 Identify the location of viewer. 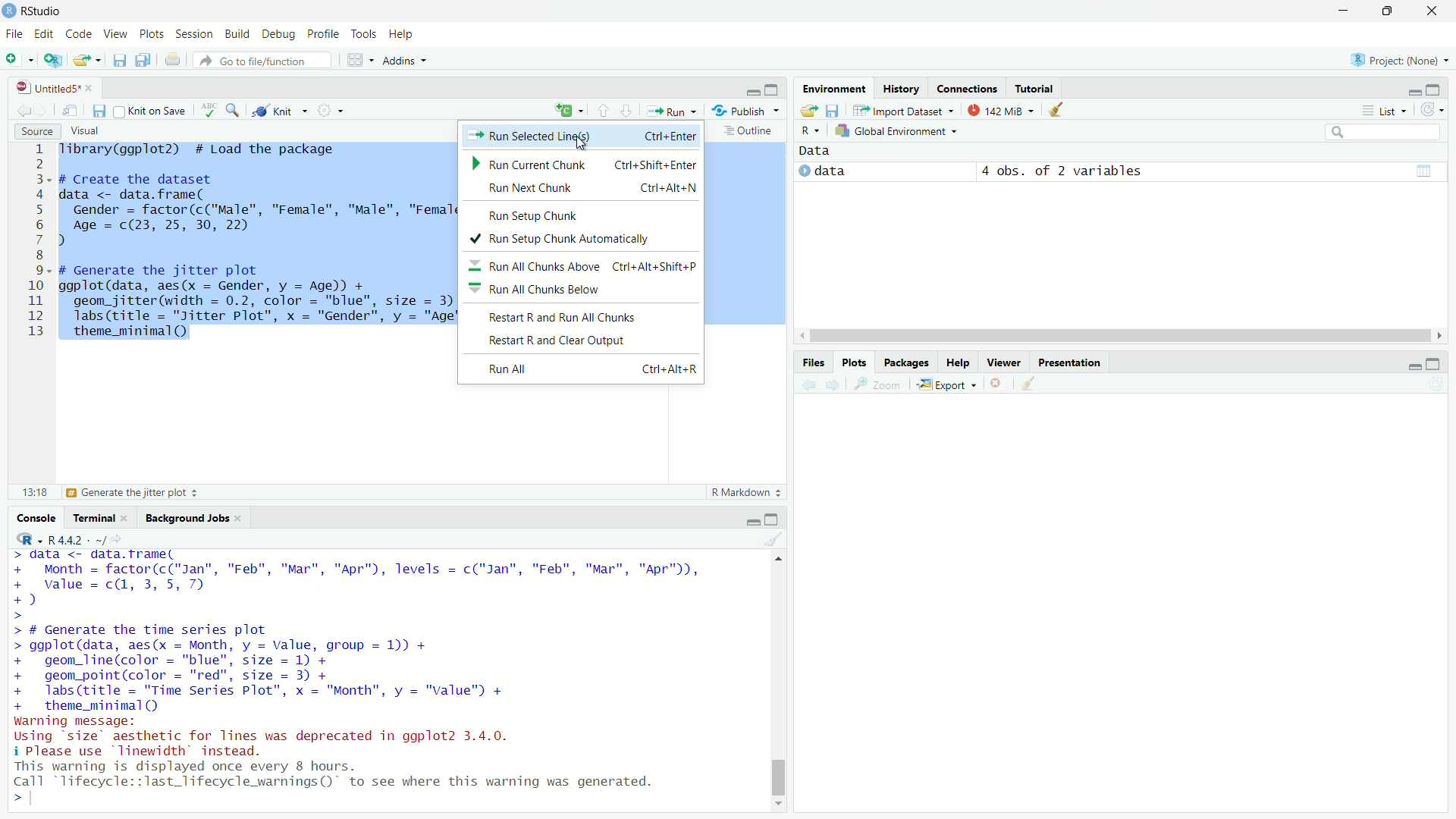
(1003, 364).